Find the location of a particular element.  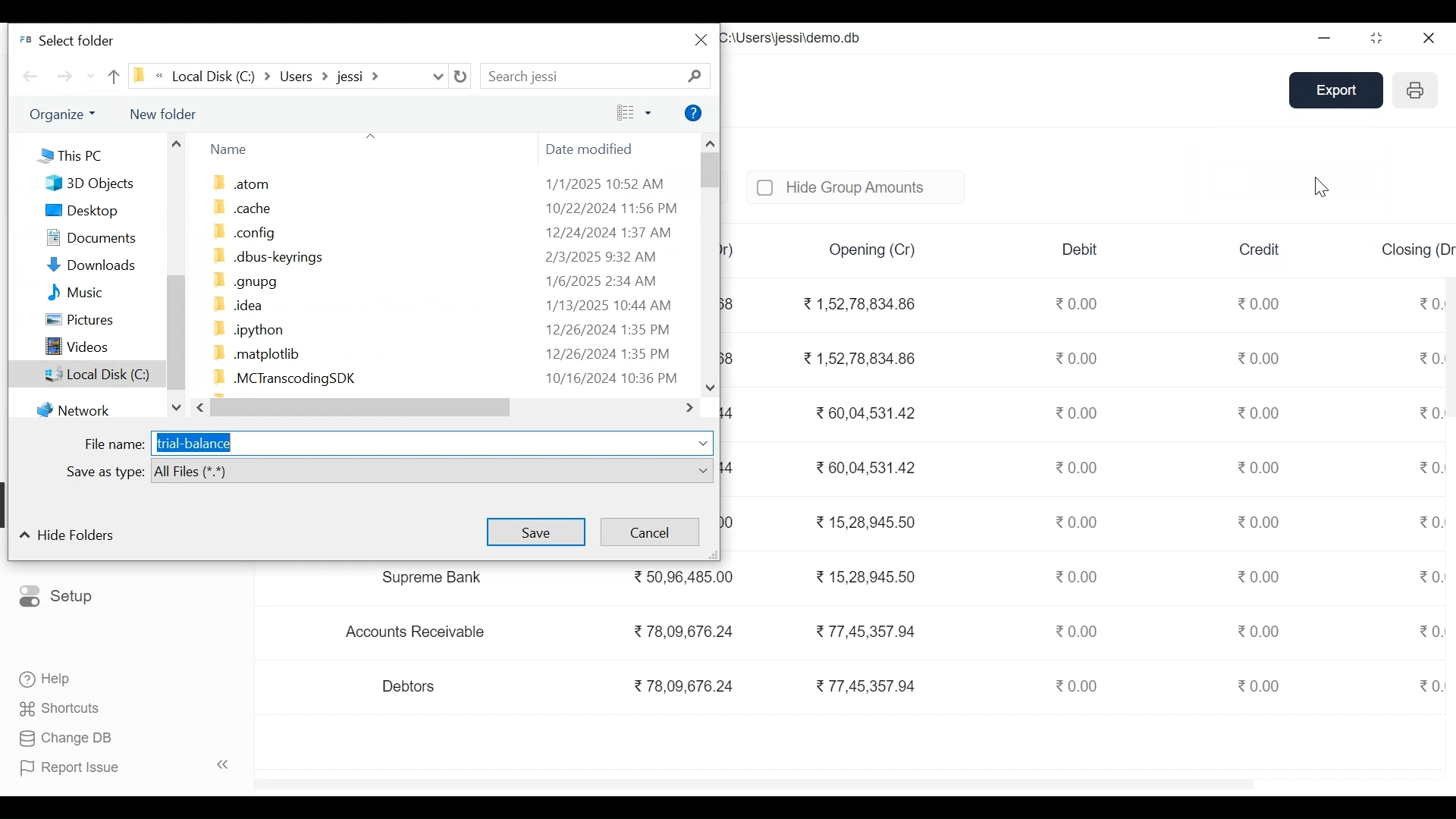

Name is located at coordinates (230, 149).